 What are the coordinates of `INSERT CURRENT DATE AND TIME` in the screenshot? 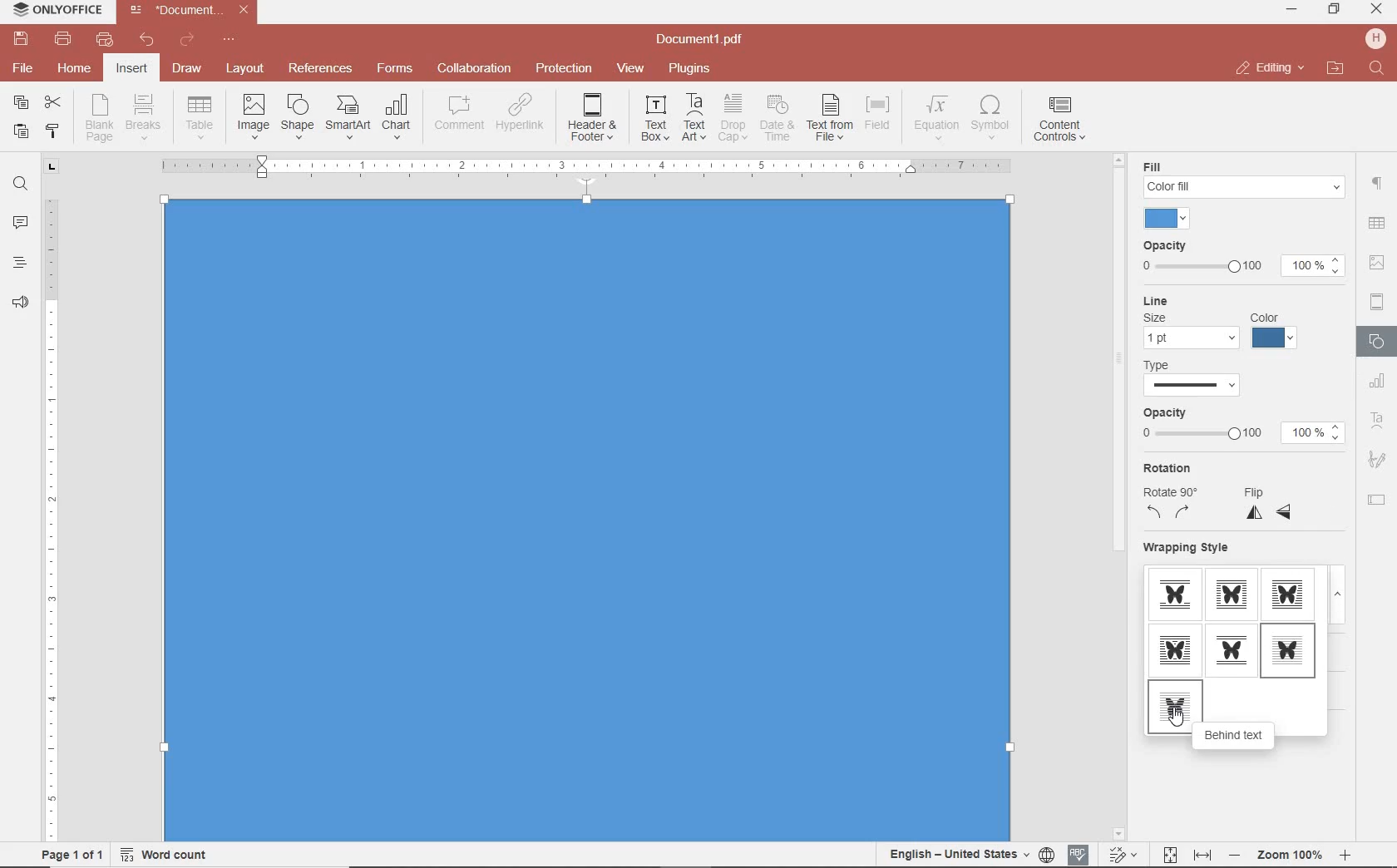 It's located at (775, 119).